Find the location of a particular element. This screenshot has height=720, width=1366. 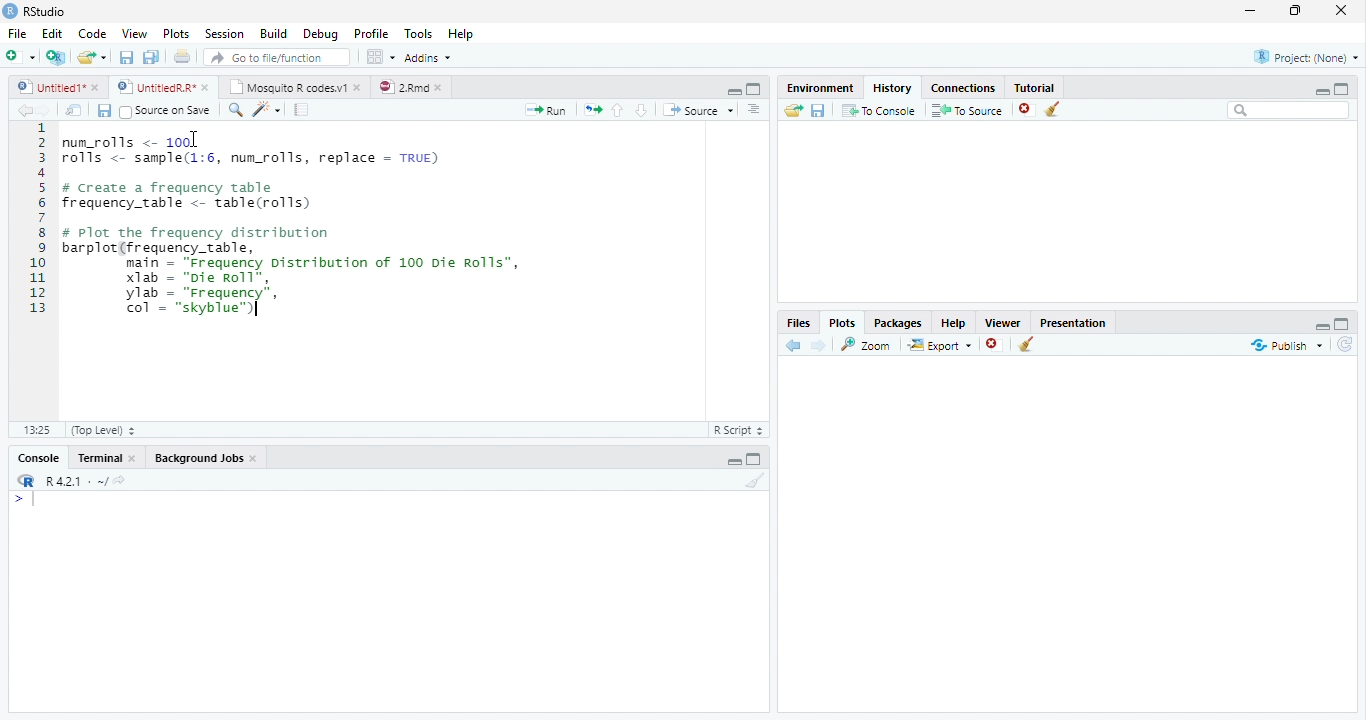

Full Screen is located at coordinates (755, 88).